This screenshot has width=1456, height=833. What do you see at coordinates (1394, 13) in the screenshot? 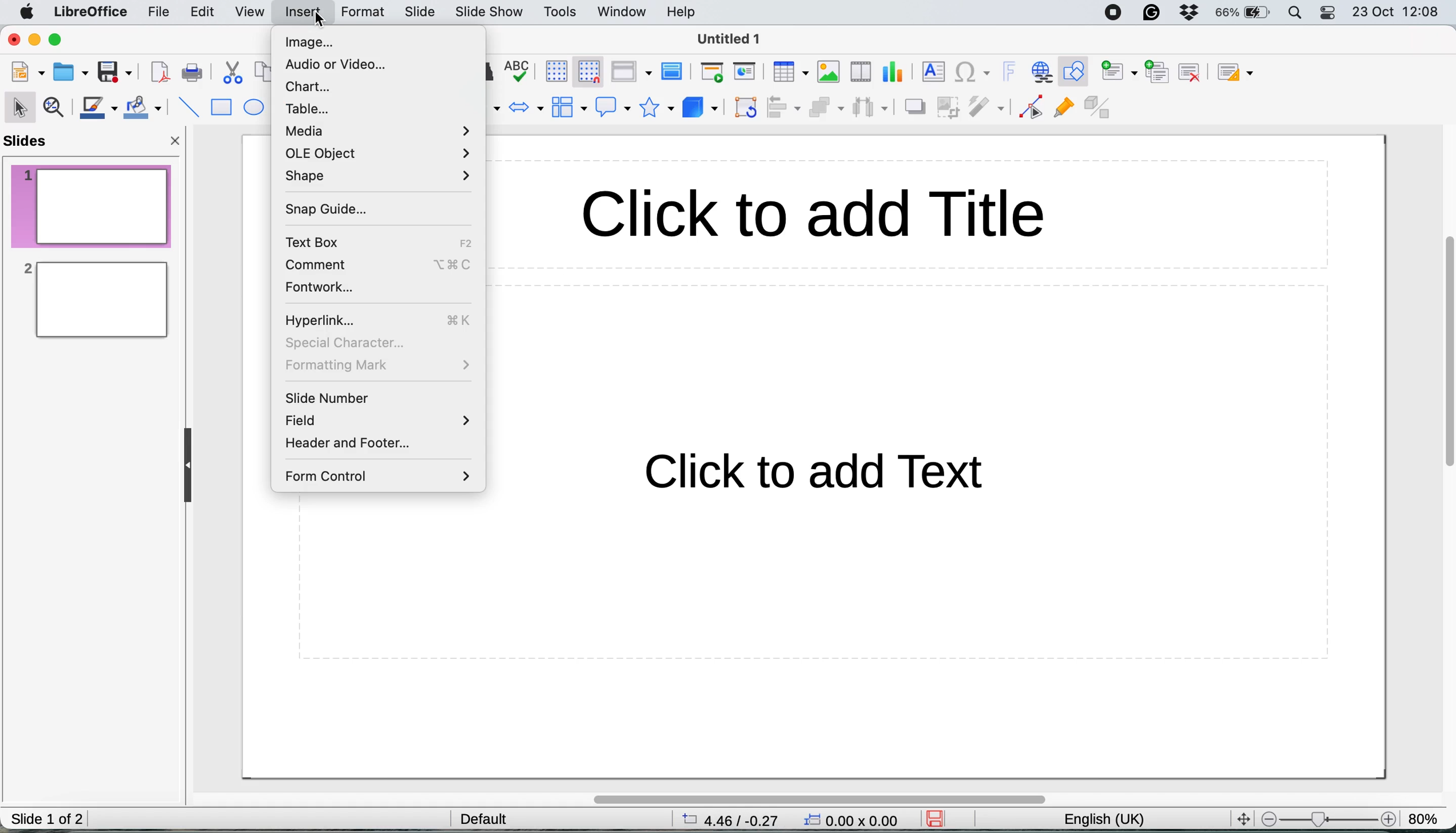
I see `23 oct 12:08` at bounding box center [1394, 13].